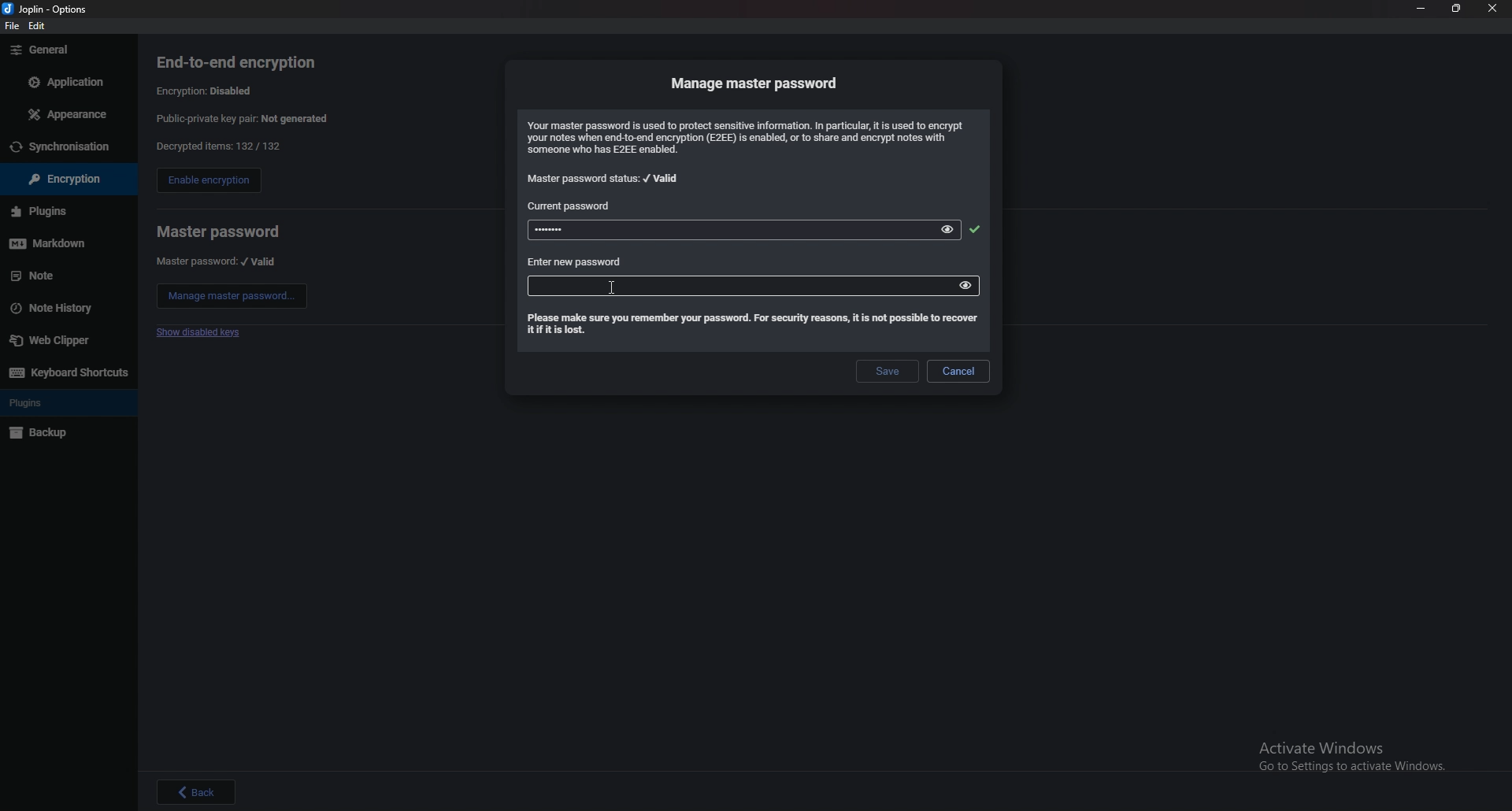  What do you see at coordinates (1421, 9) in the screenshot?
I see `minimize` at bounding box center [1421, 9].